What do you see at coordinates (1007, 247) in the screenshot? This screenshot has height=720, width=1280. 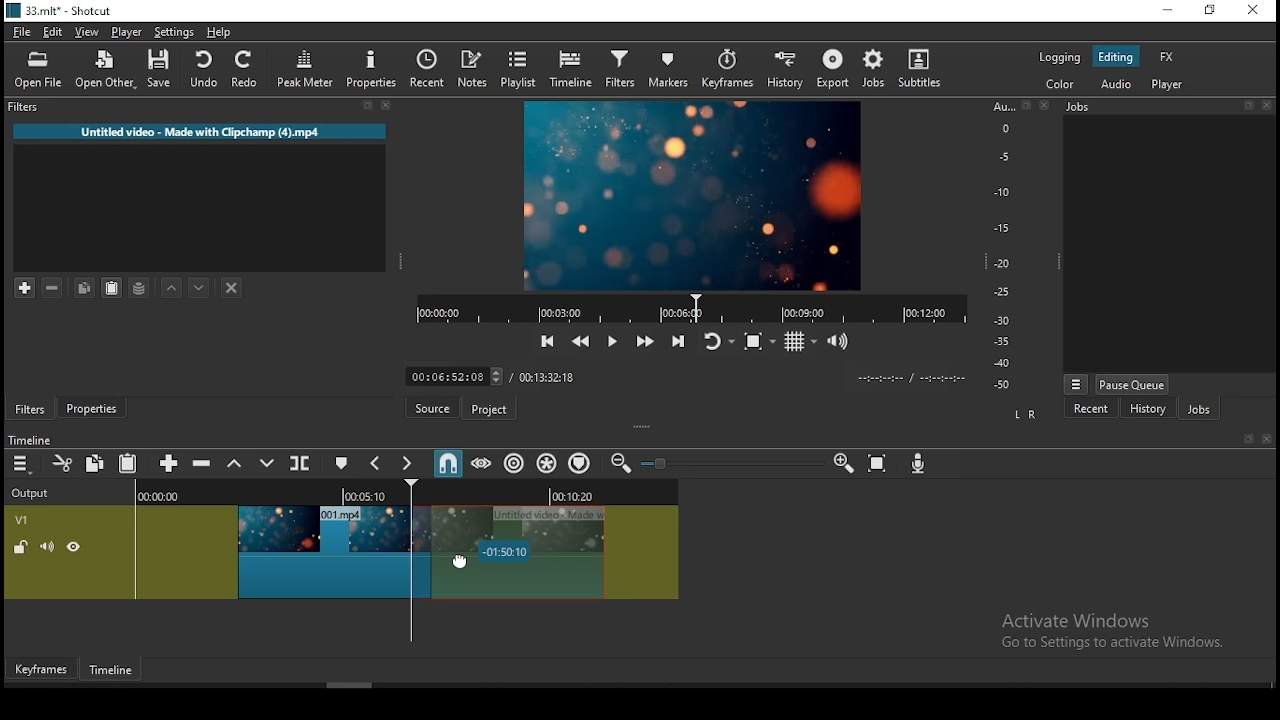 I see `scale` at bounding box center [1007, 247].